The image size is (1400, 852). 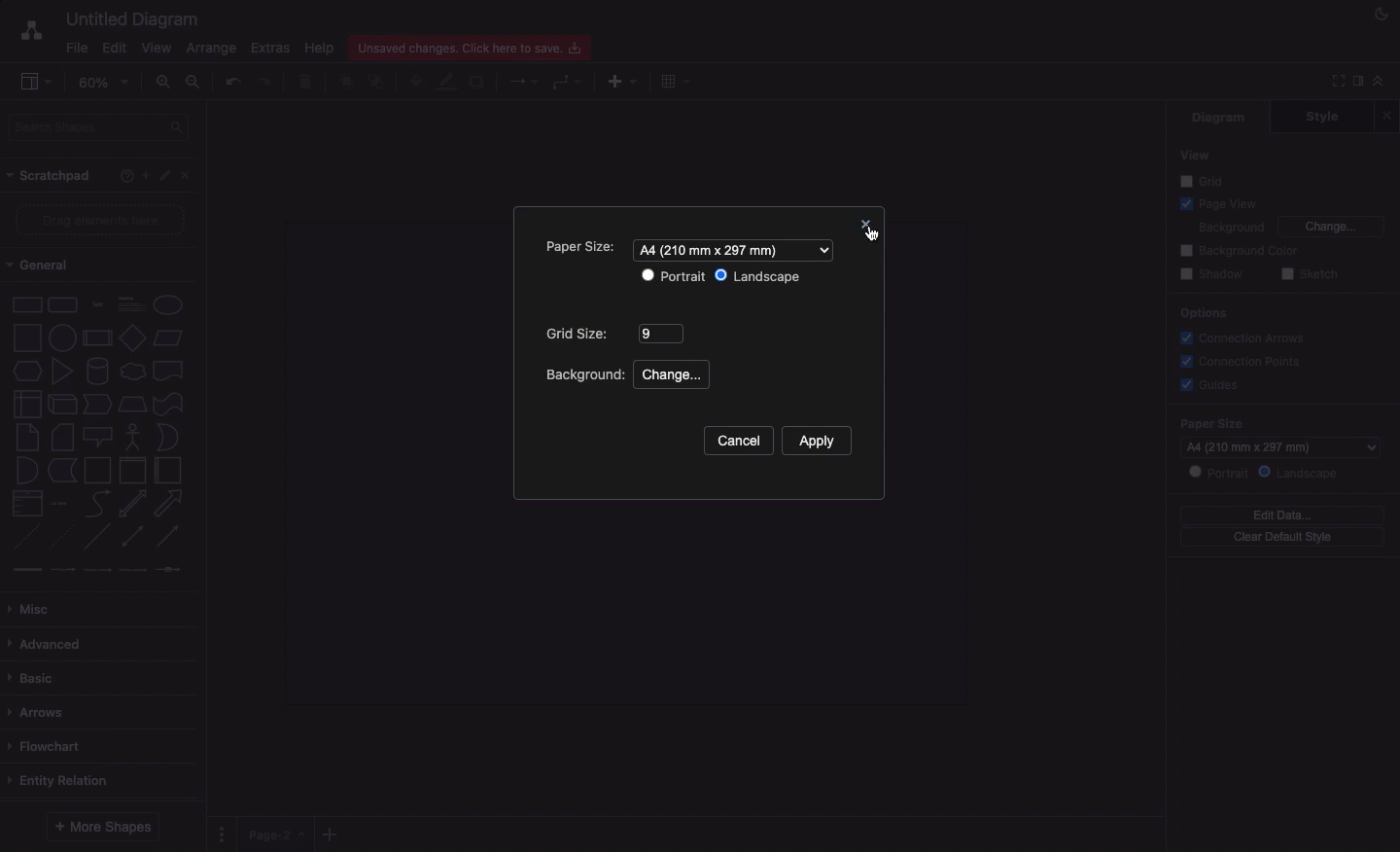 I want to click on Grid, so click(x=1205, y=180).